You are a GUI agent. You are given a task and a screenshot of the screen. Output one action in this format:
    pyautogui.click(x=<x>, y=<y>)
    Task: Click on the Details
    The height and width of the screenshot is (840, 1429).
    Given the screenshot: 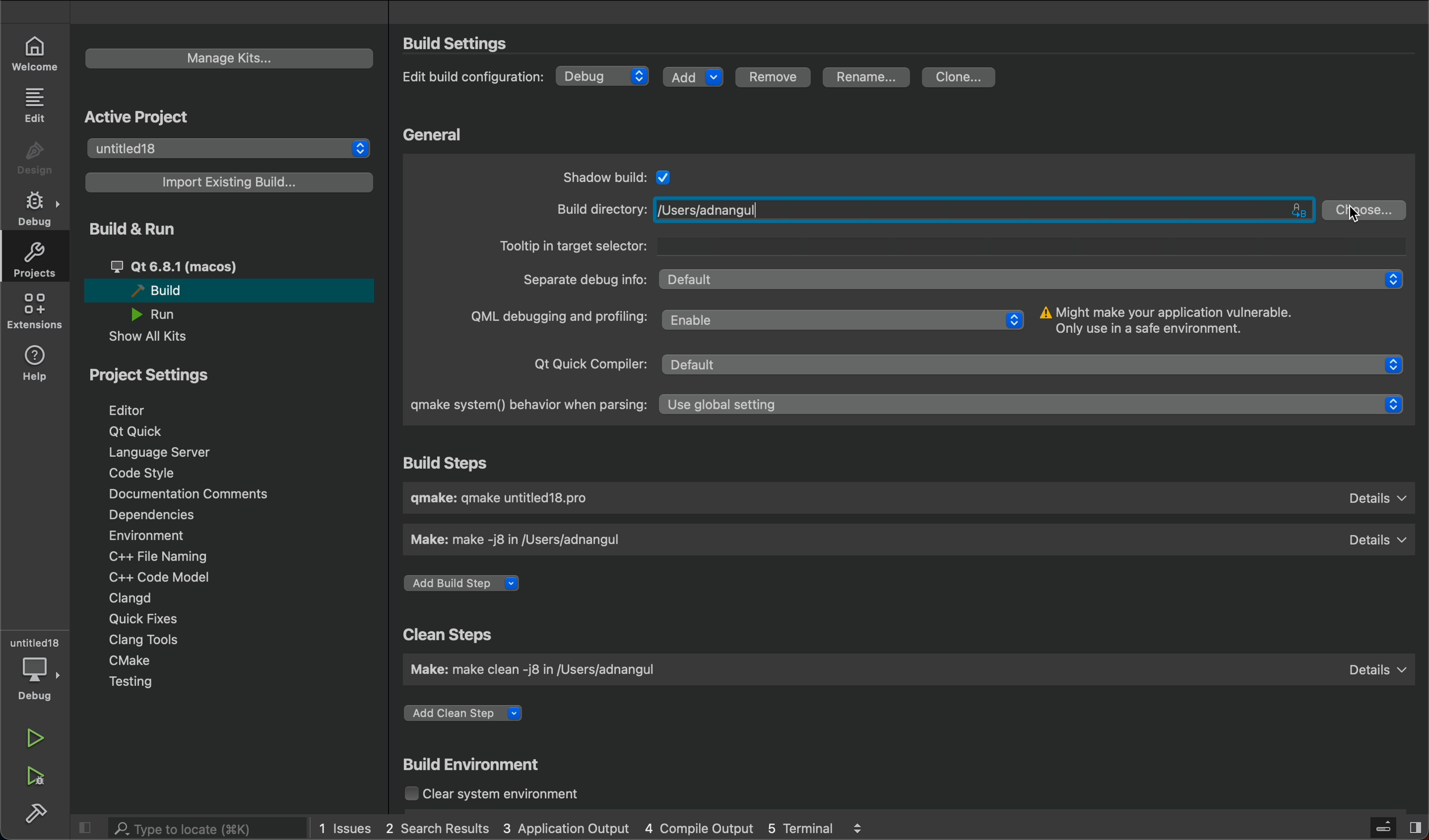 What is the action you would take?
    pyautogui.click(x=1377, y=537)
    